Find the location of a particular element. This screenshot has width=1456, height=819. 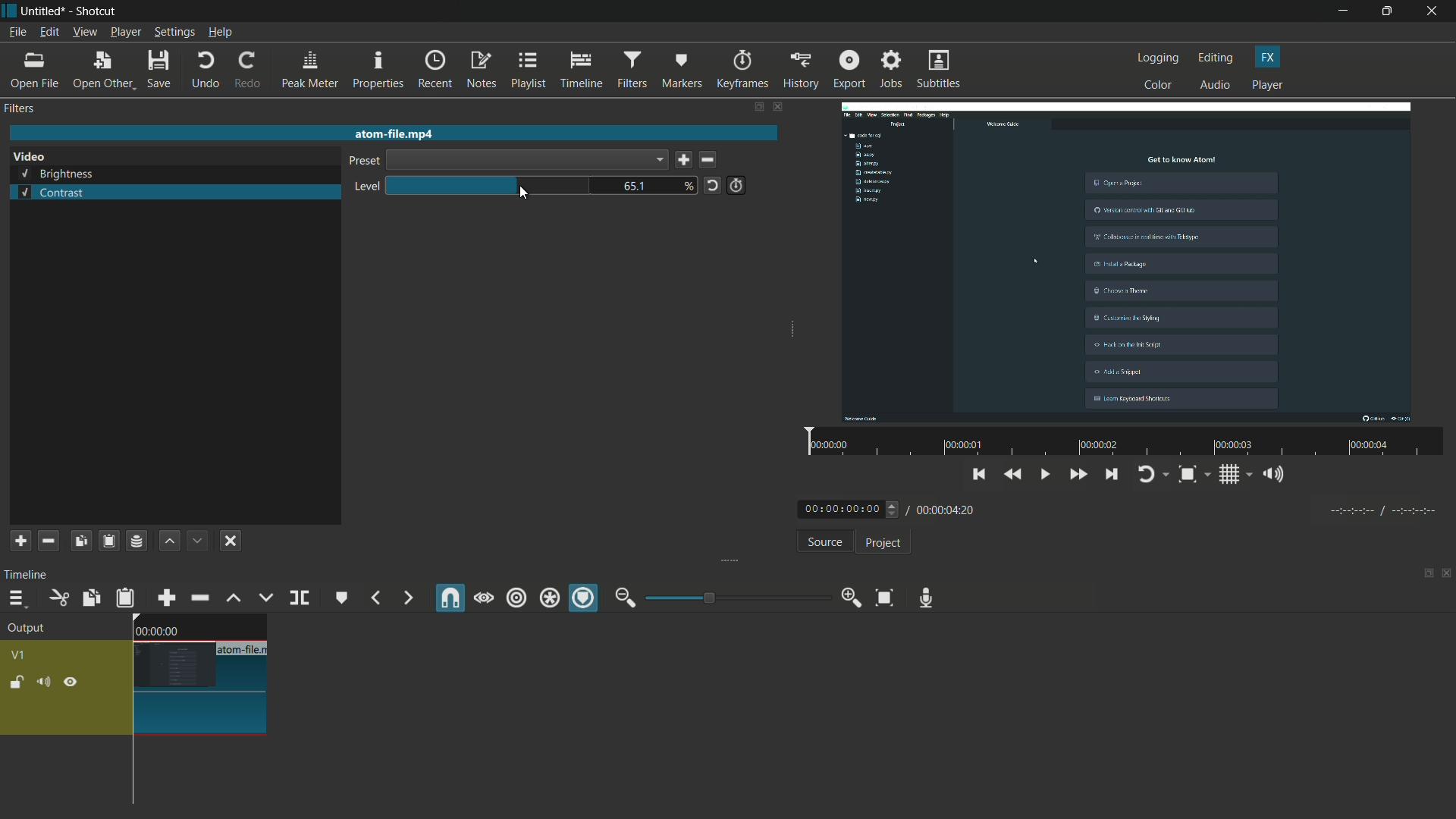

scrub while dragging is located at coordinates (483, 598).